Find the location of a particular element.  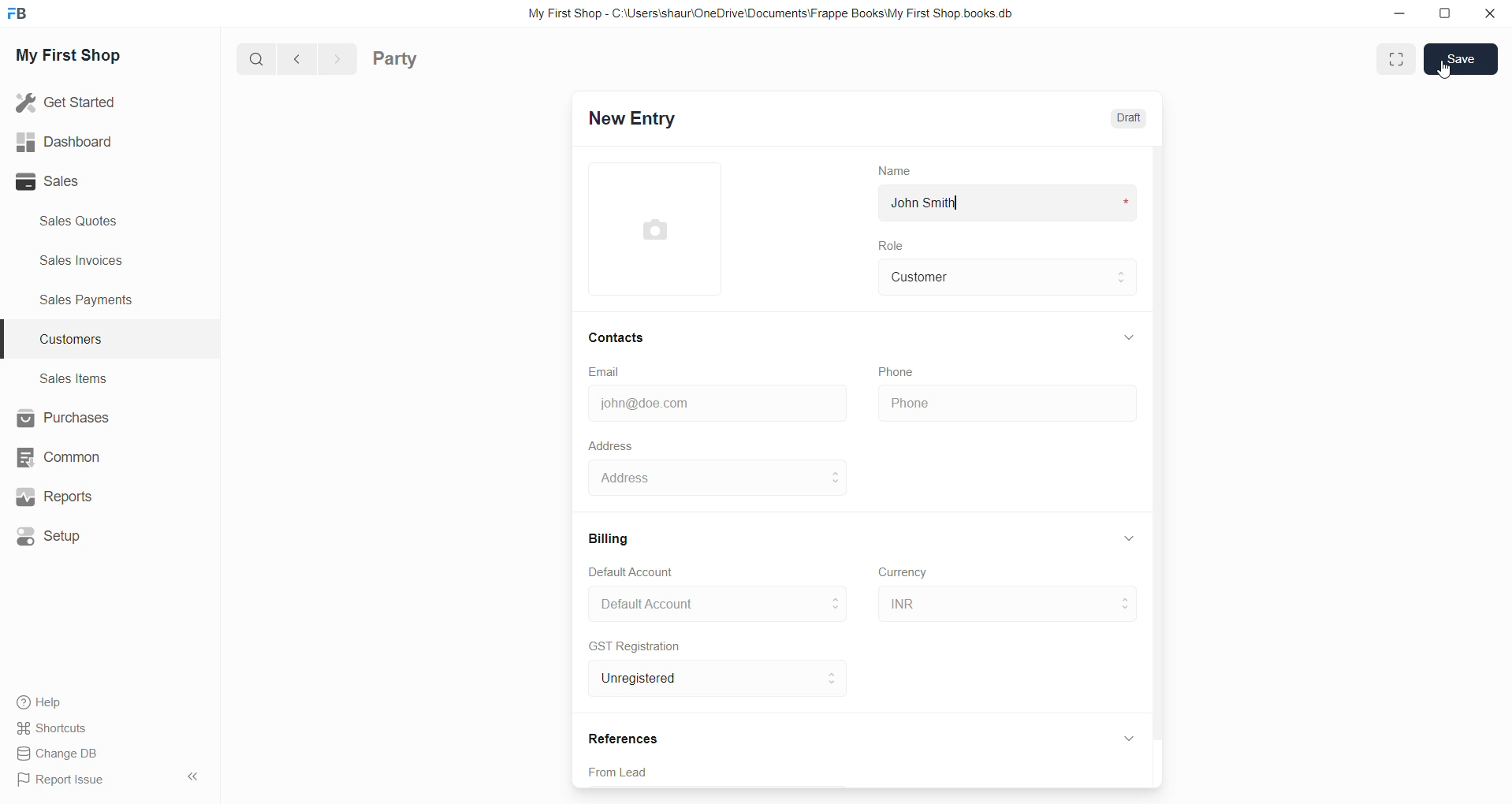

move to above address is located at coordinates (836, 471).